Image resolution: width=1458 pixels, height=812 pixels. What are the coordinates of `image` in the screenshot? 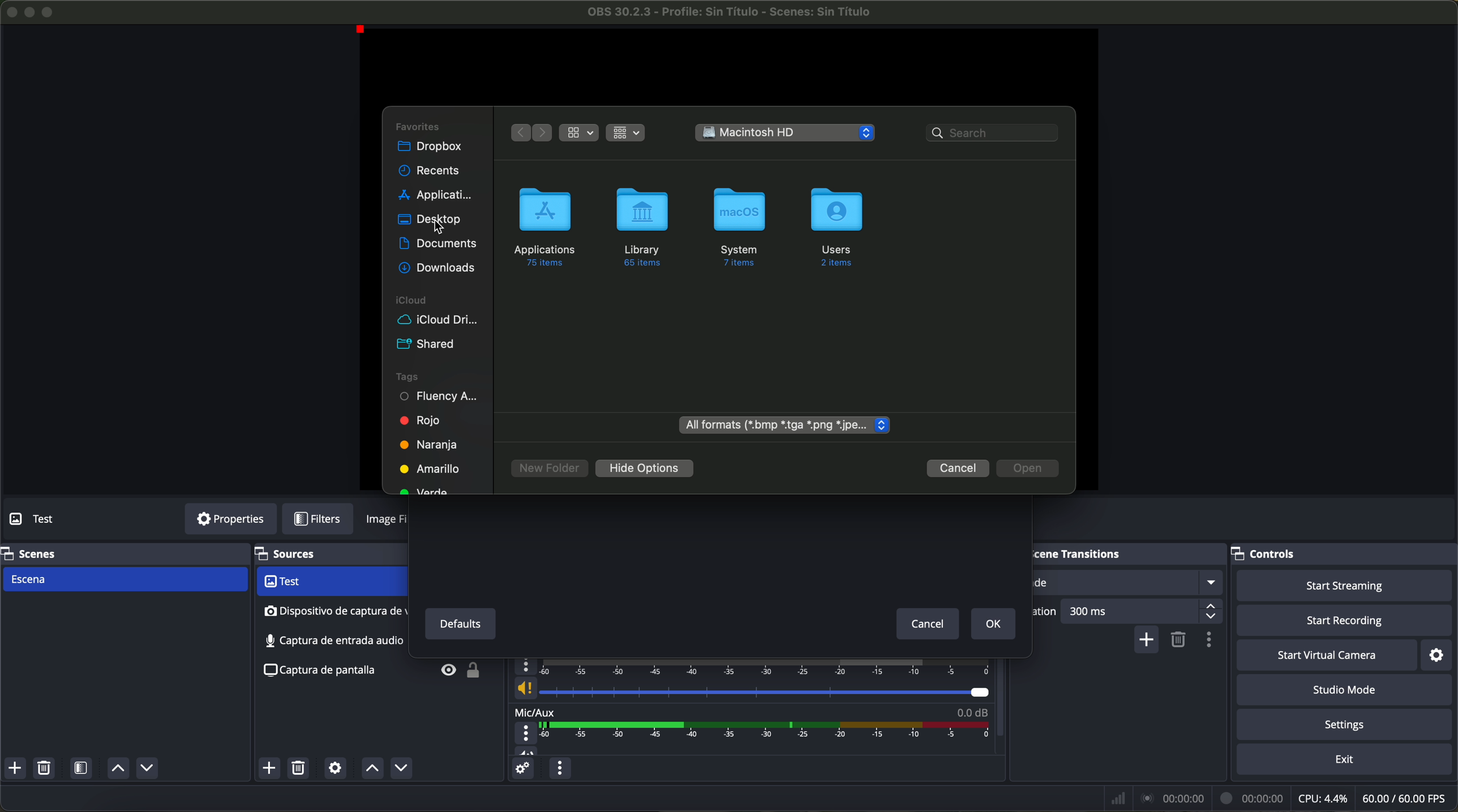 It's located at (388, 522).